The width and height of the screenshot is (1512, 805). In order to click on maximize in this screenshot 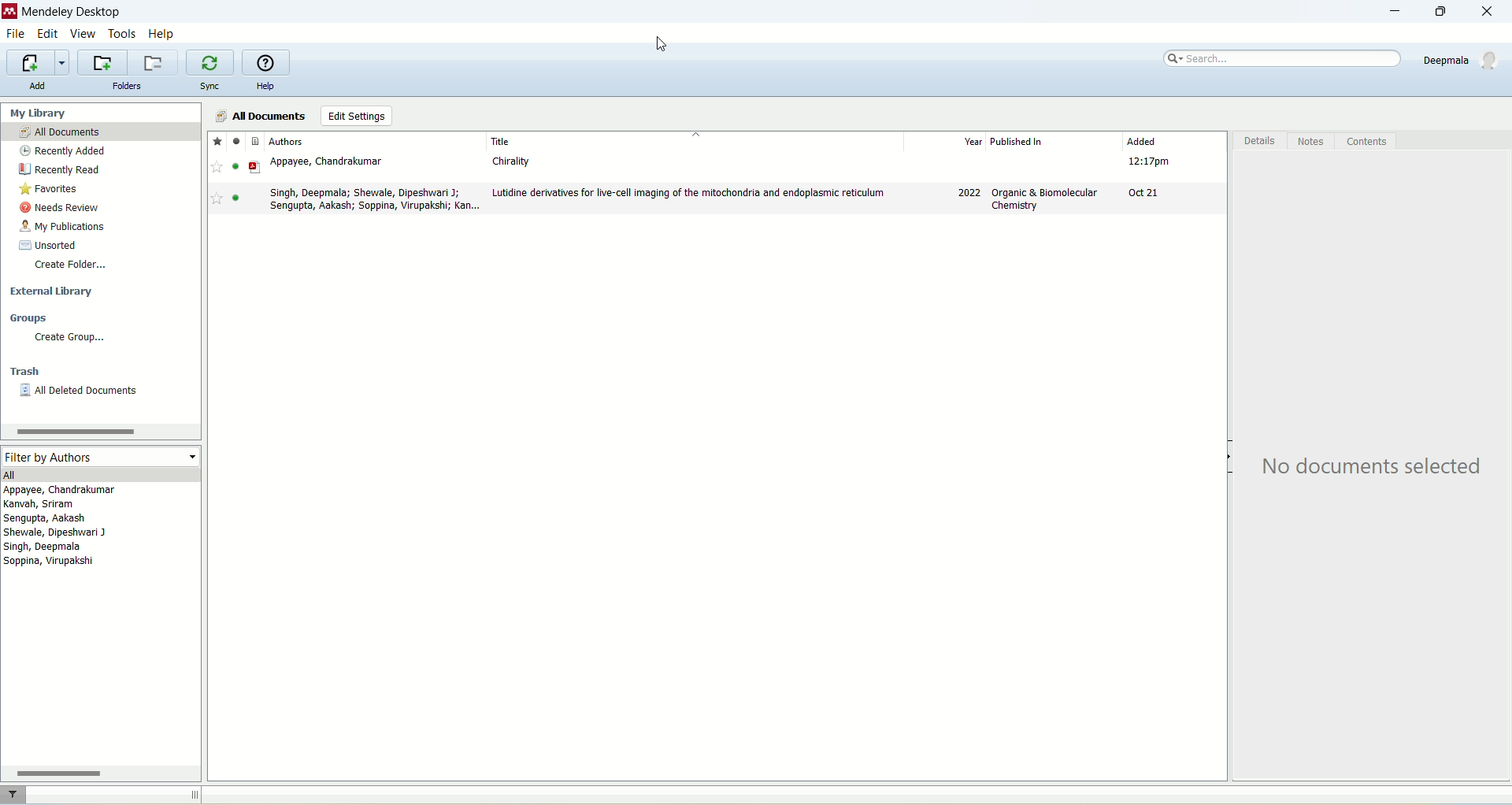, I will do `click(1443, 13)`.